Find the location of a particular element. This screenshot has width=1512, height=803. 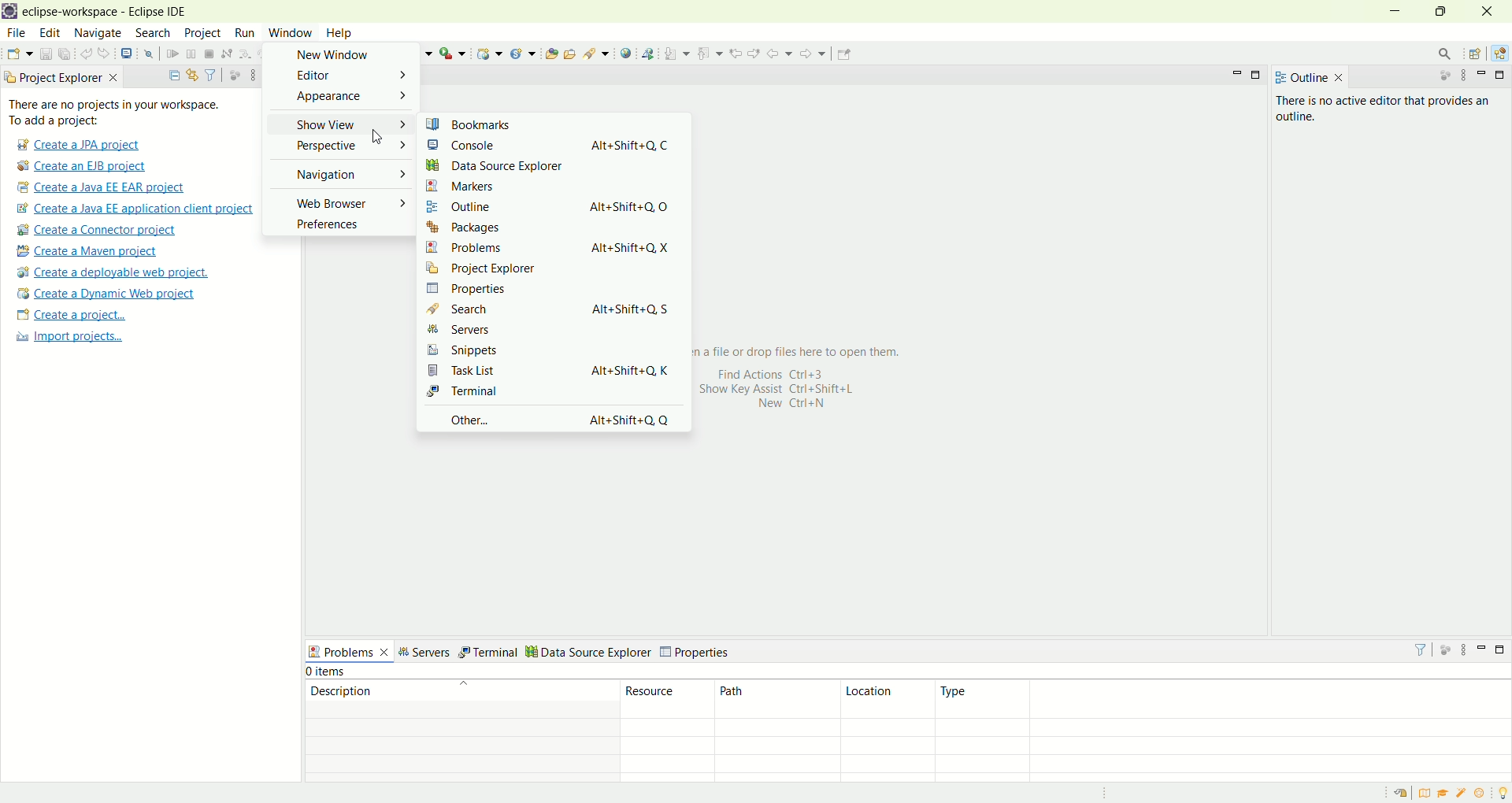

file is located at coordinates (14, 32).